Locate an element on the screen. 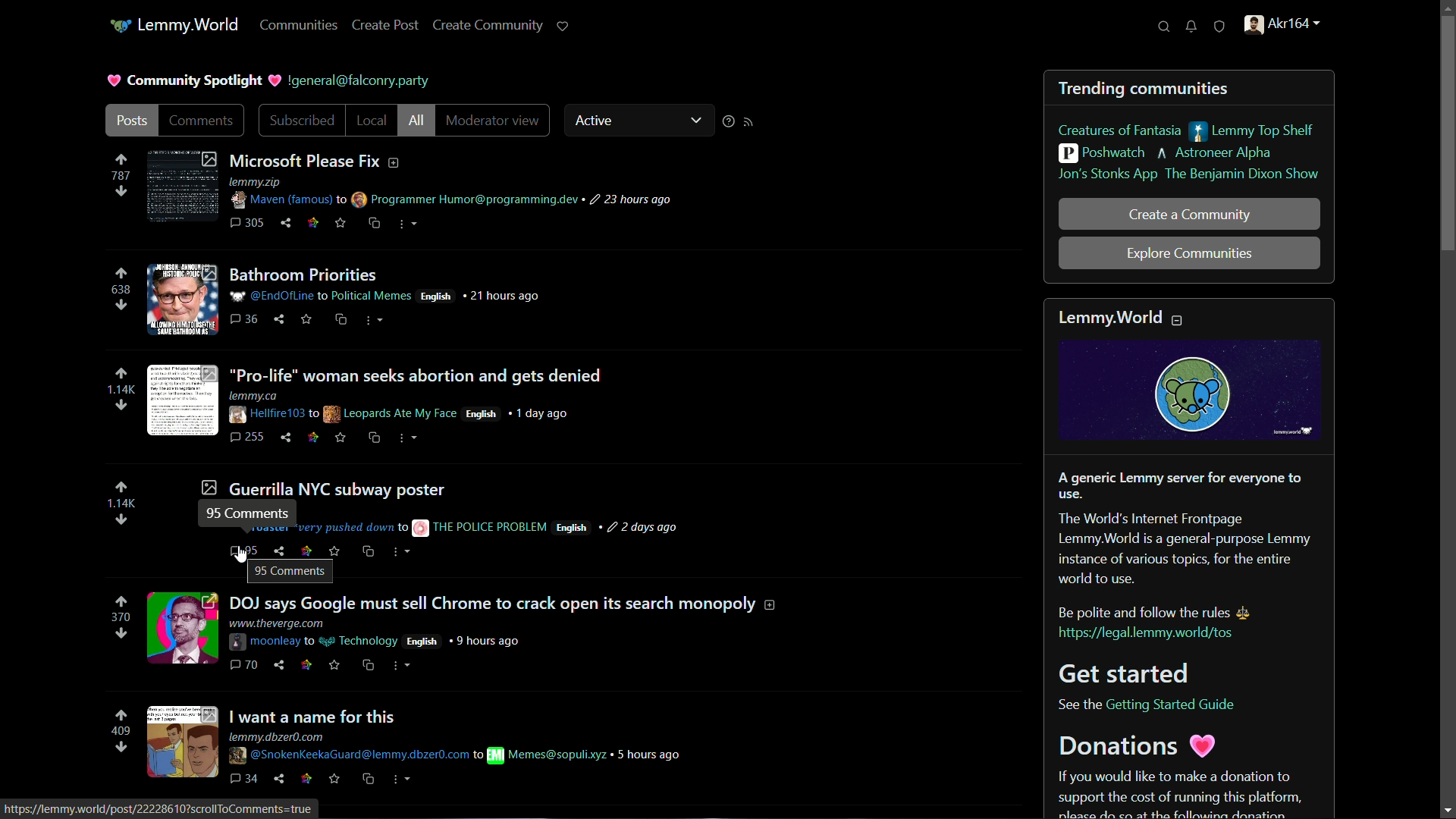 This screenshot has width=1456, height=819. Leopards Ate My Face is located at coordinates (393, 415).